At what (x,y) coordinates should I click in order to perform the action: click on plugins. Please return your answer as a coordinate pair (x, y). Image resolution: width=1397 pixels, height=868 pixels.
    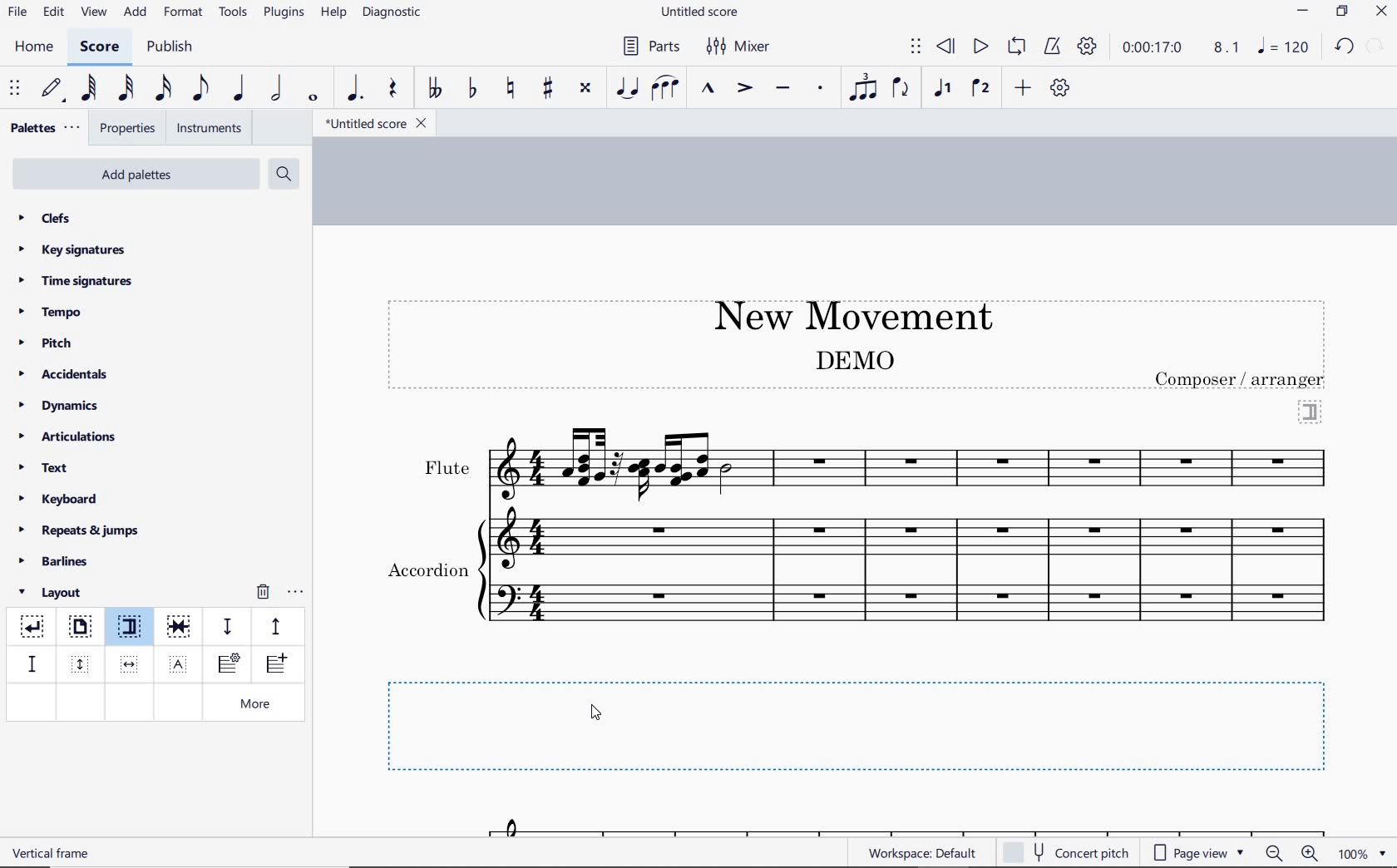
    Looking at the image, I should click on (284, 13).